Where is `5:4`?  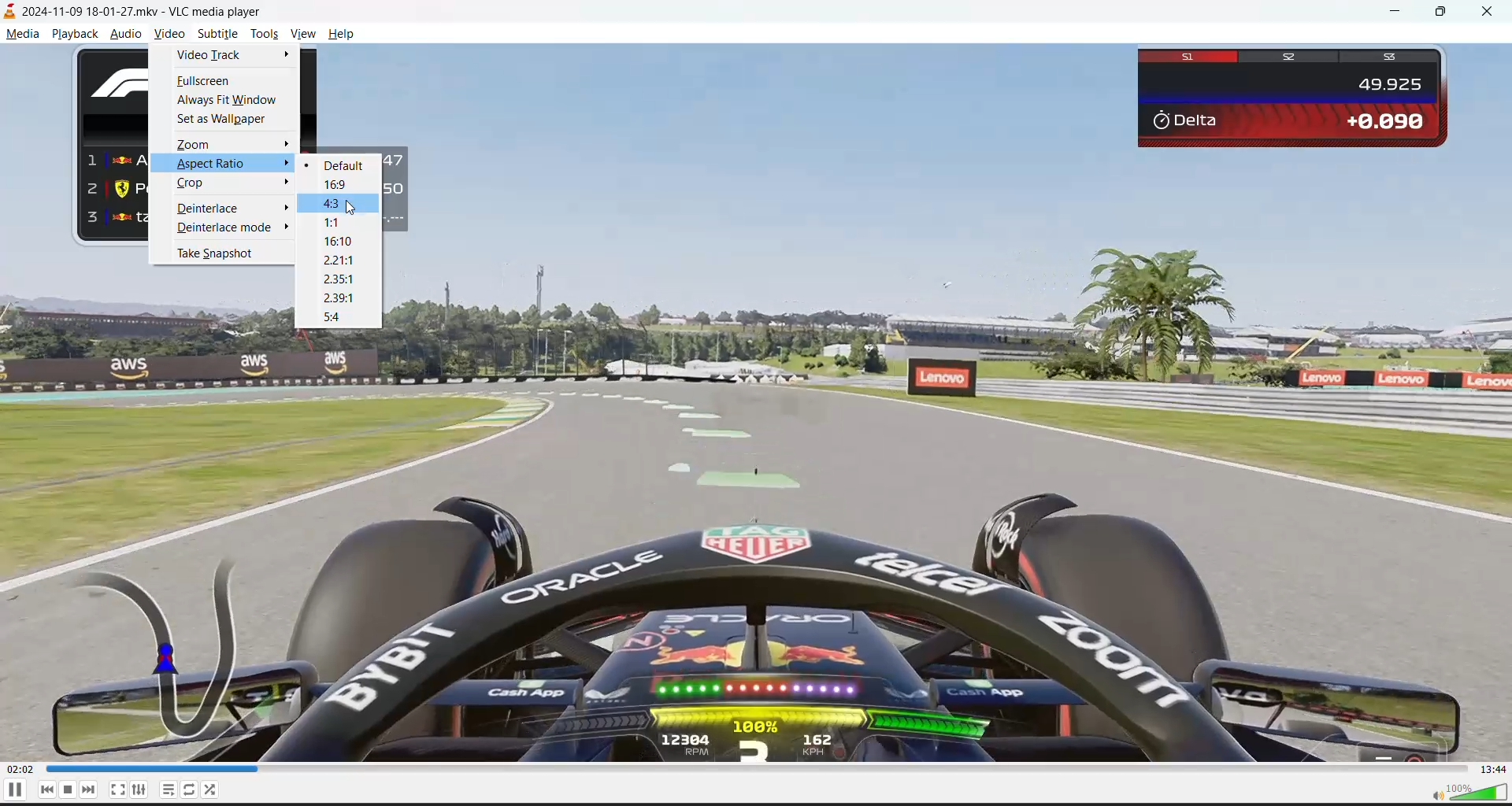 5:4 is located at coordinates (333, 316).